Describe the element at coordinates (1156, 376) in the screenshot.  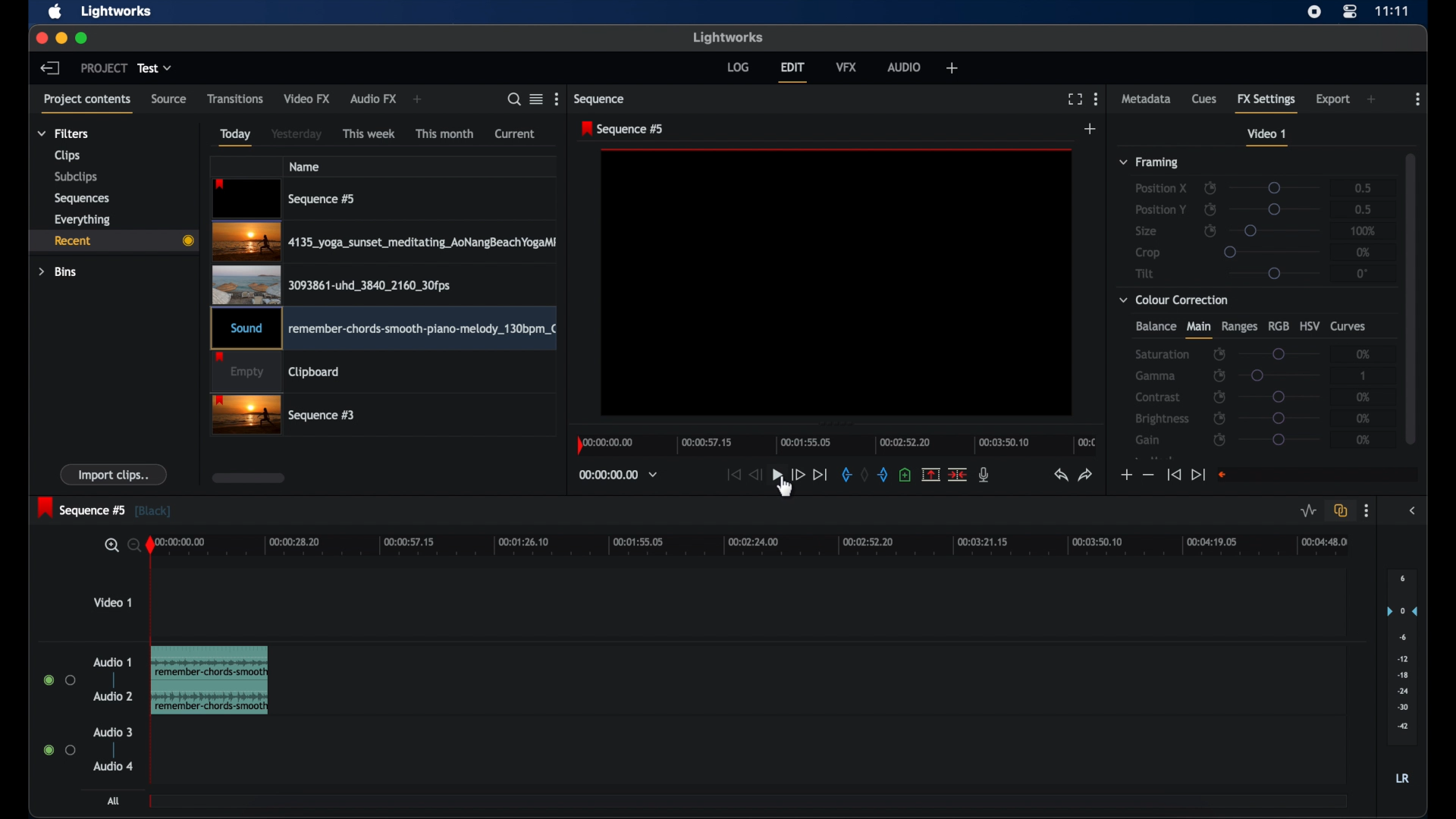
I see `gamma` at that location.